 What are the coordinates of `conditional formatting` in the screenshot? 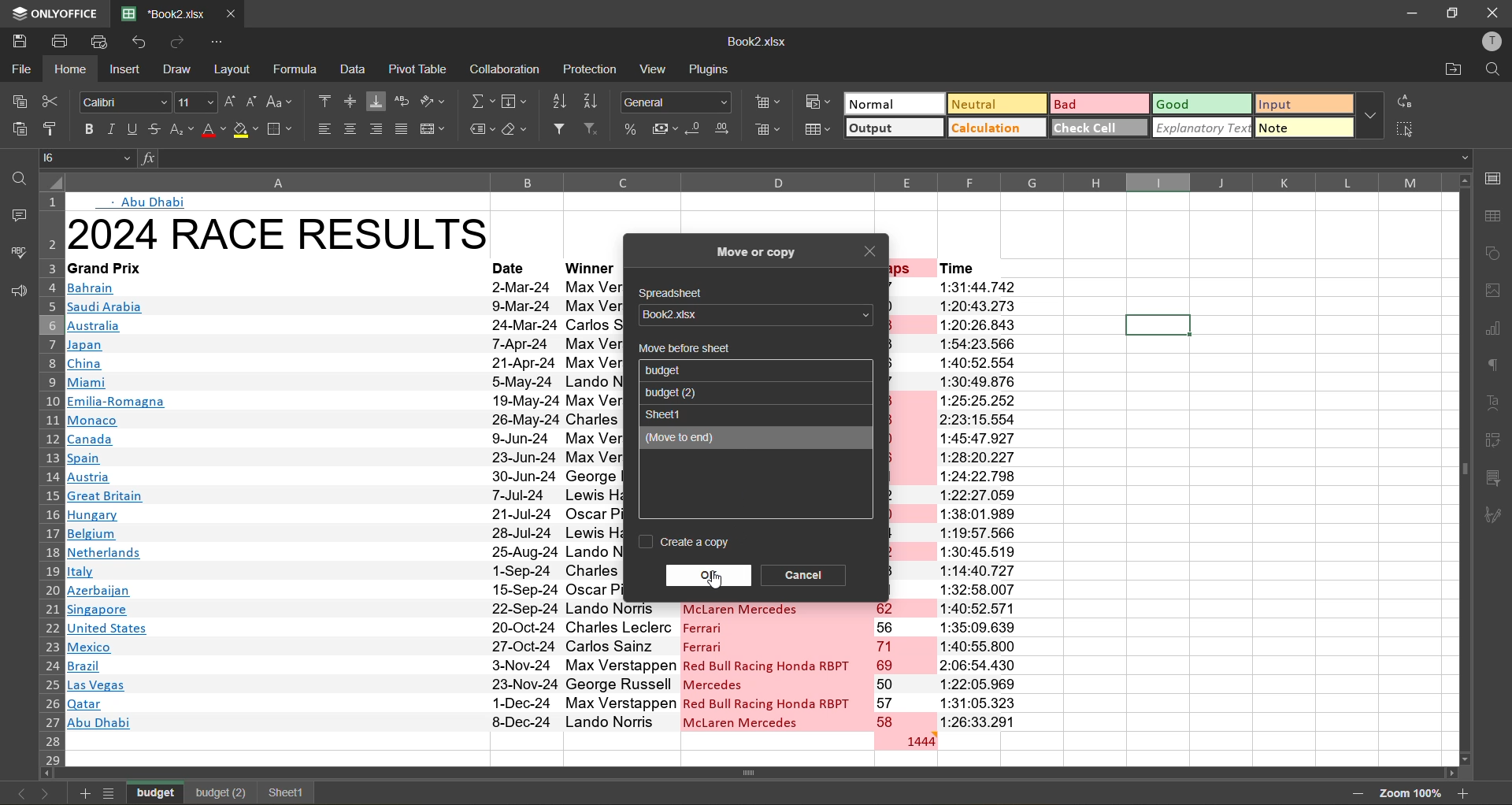 It's located at (817, 101).